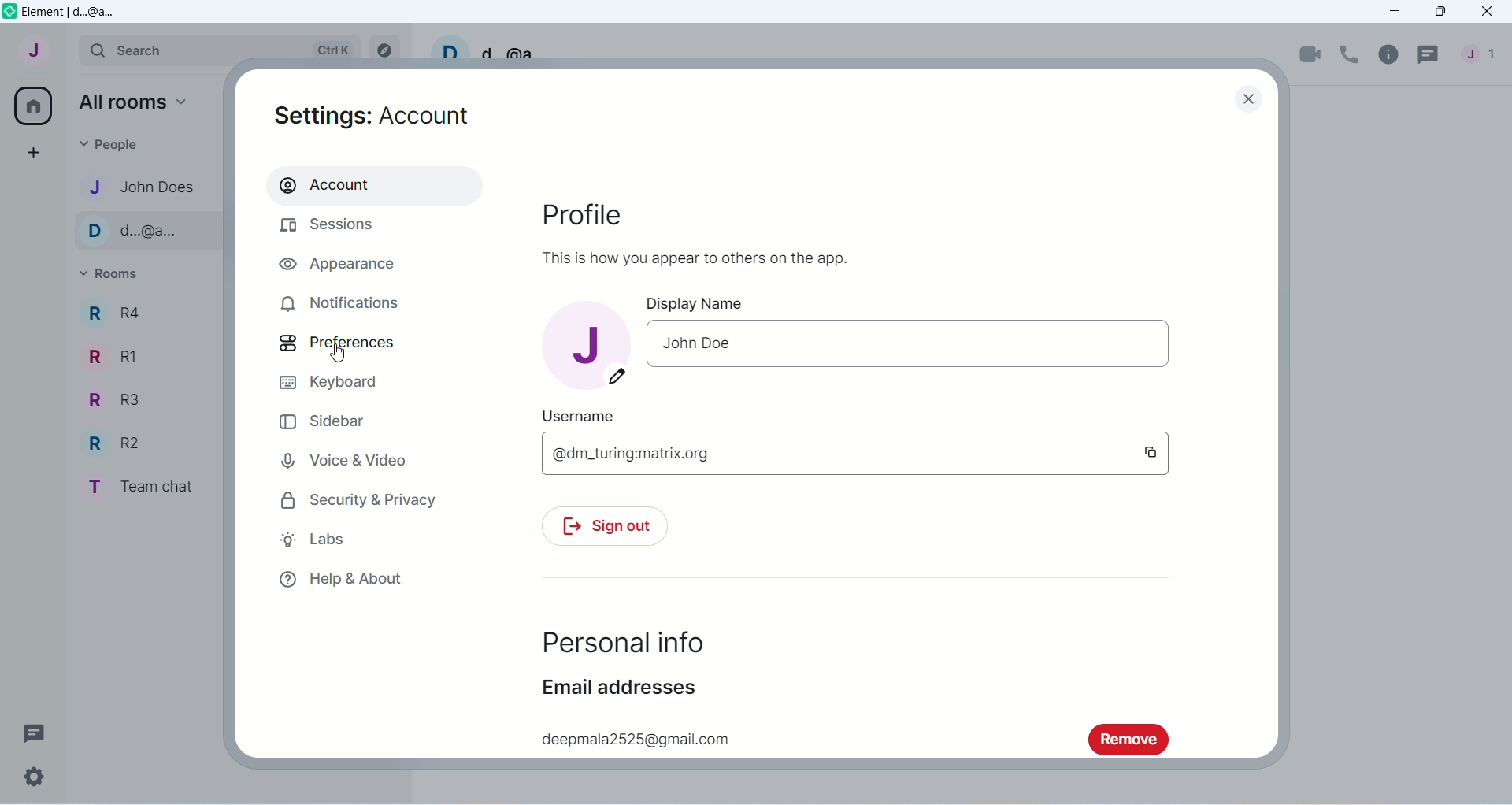 The width and height of the screenshot is (1512, 805). I want to click on Room info, so click(1391, 57).